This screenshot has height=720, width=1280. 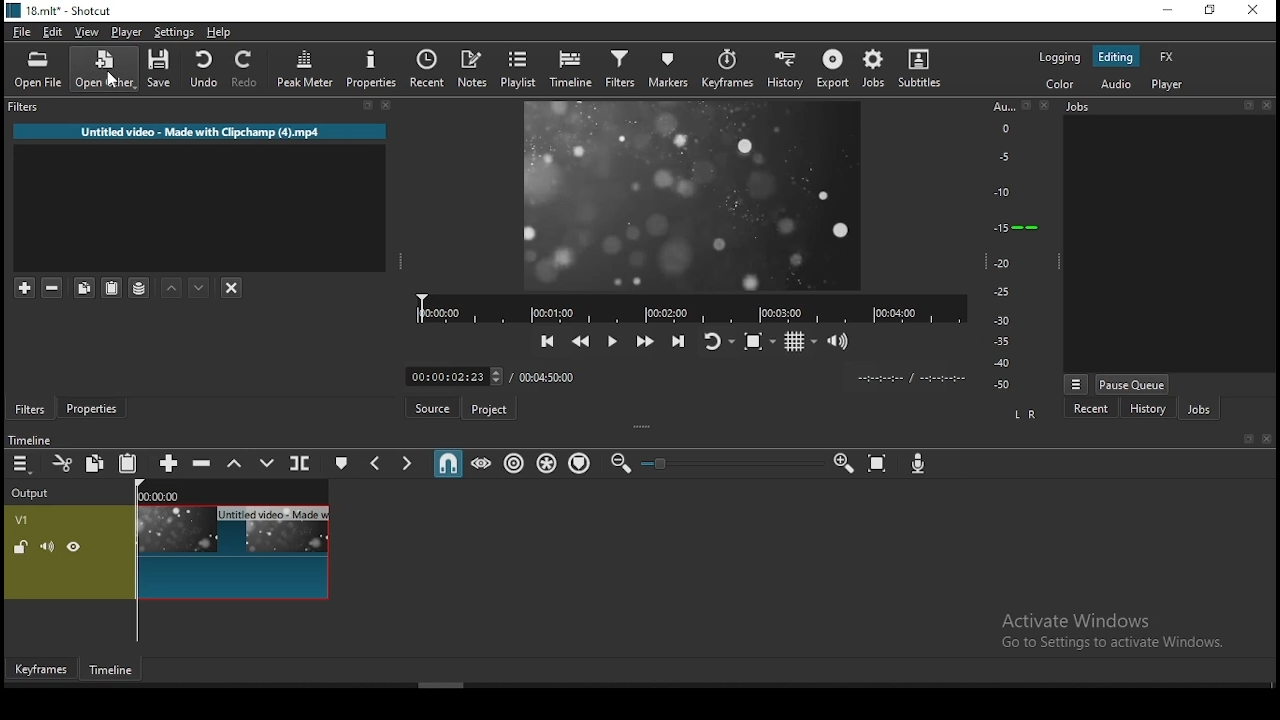 What do you see at coordinates (547, 376) in the screenshot?
I see `track timer` at bounding box center [547, 376].